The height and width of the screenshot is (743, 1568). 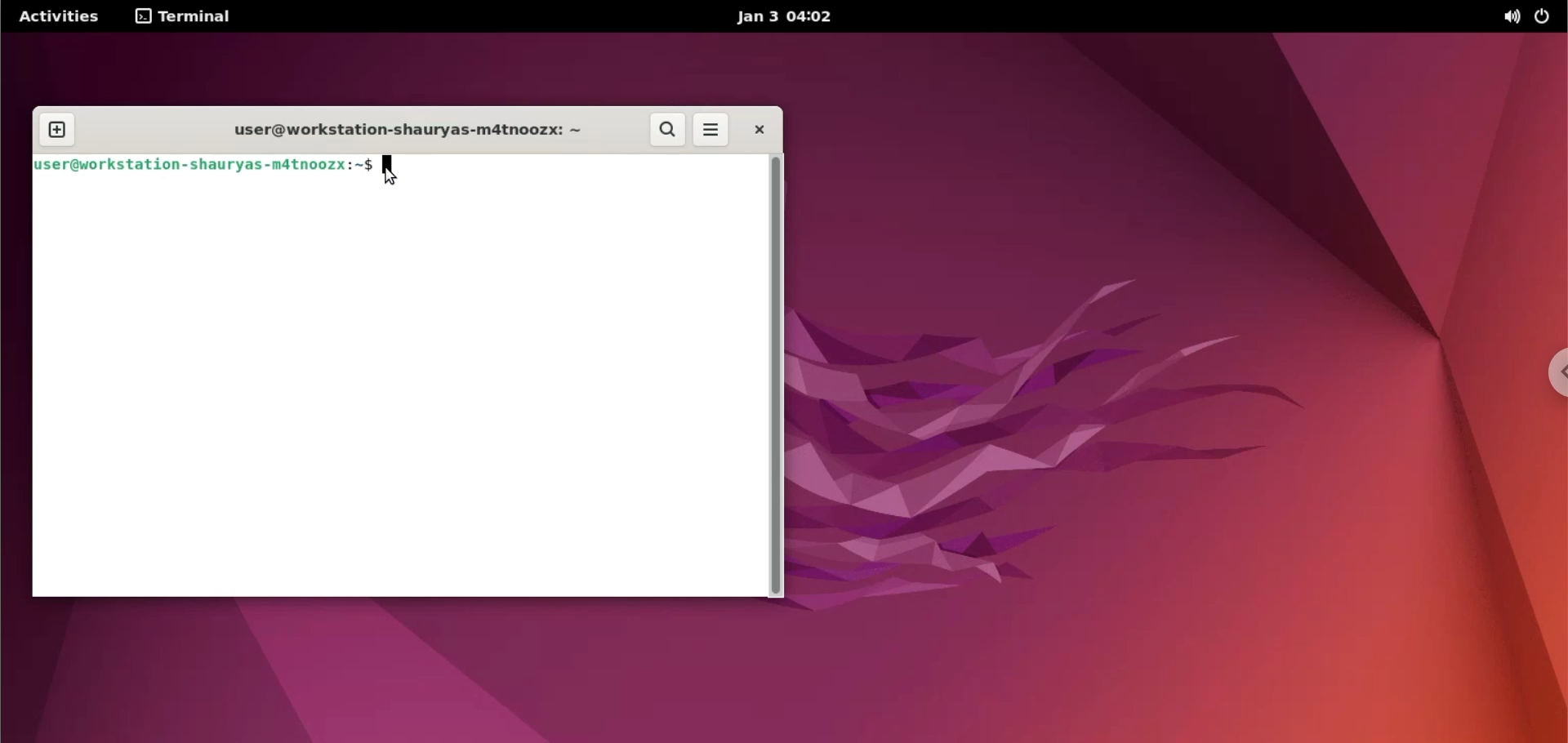 I want to click on more options, so click(x=712, y=129).